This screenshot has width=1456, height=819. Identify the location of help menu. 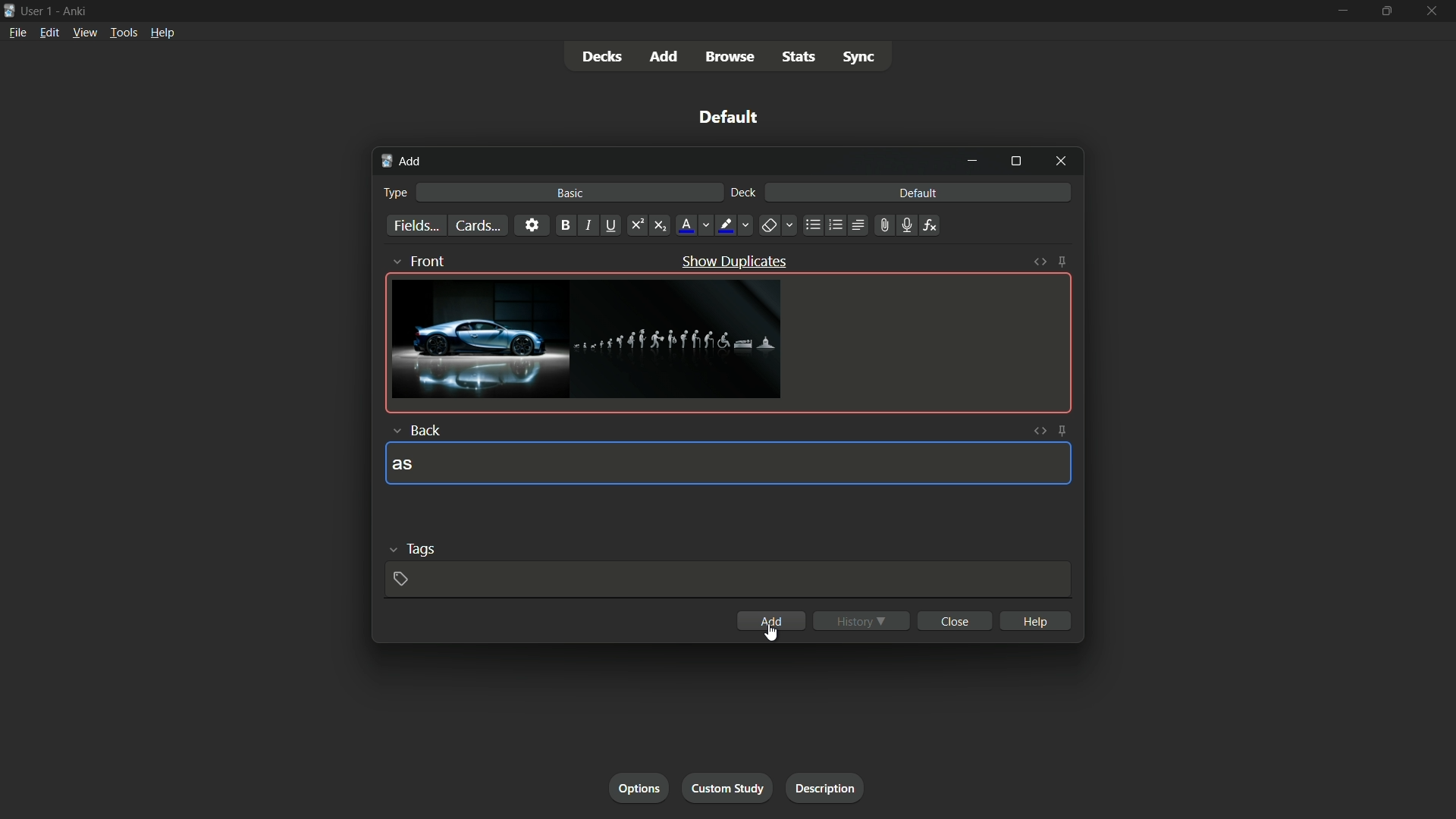
(162, 34).